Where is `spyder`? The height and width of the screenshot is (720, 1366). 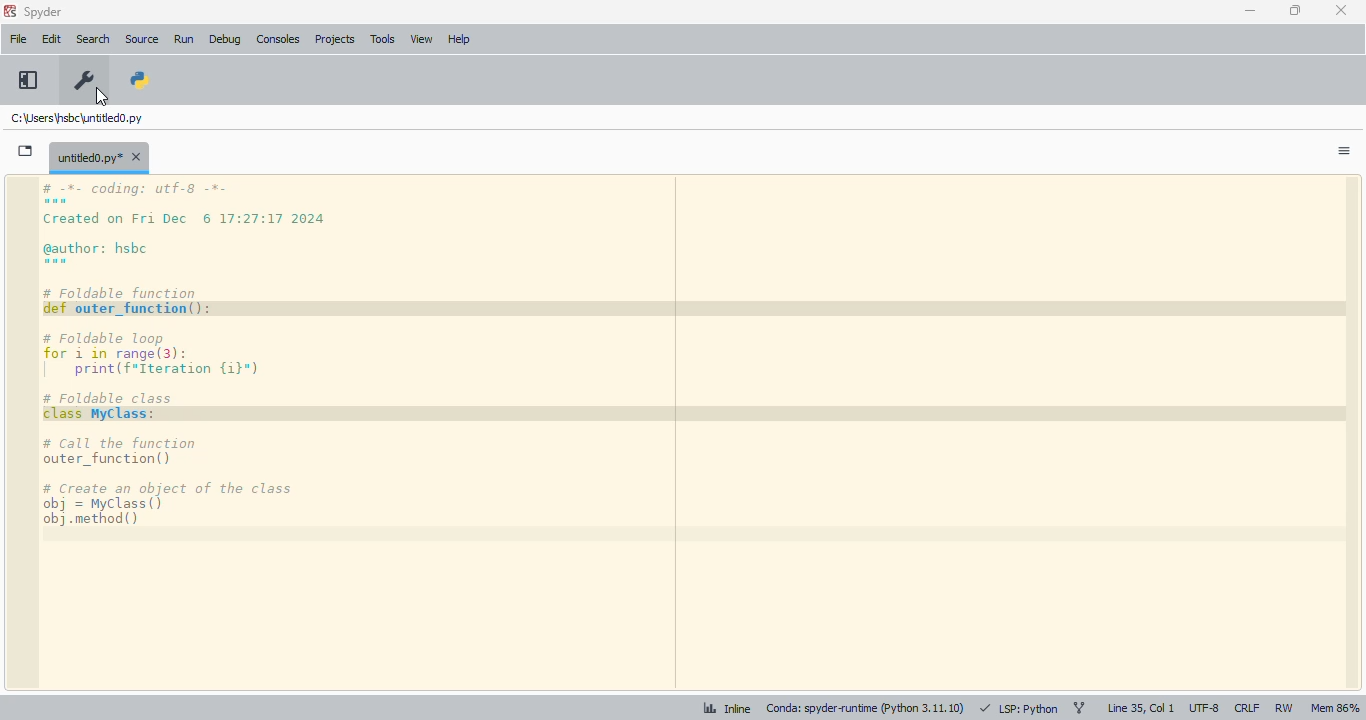
spyder is located at coordinates (43, 12).